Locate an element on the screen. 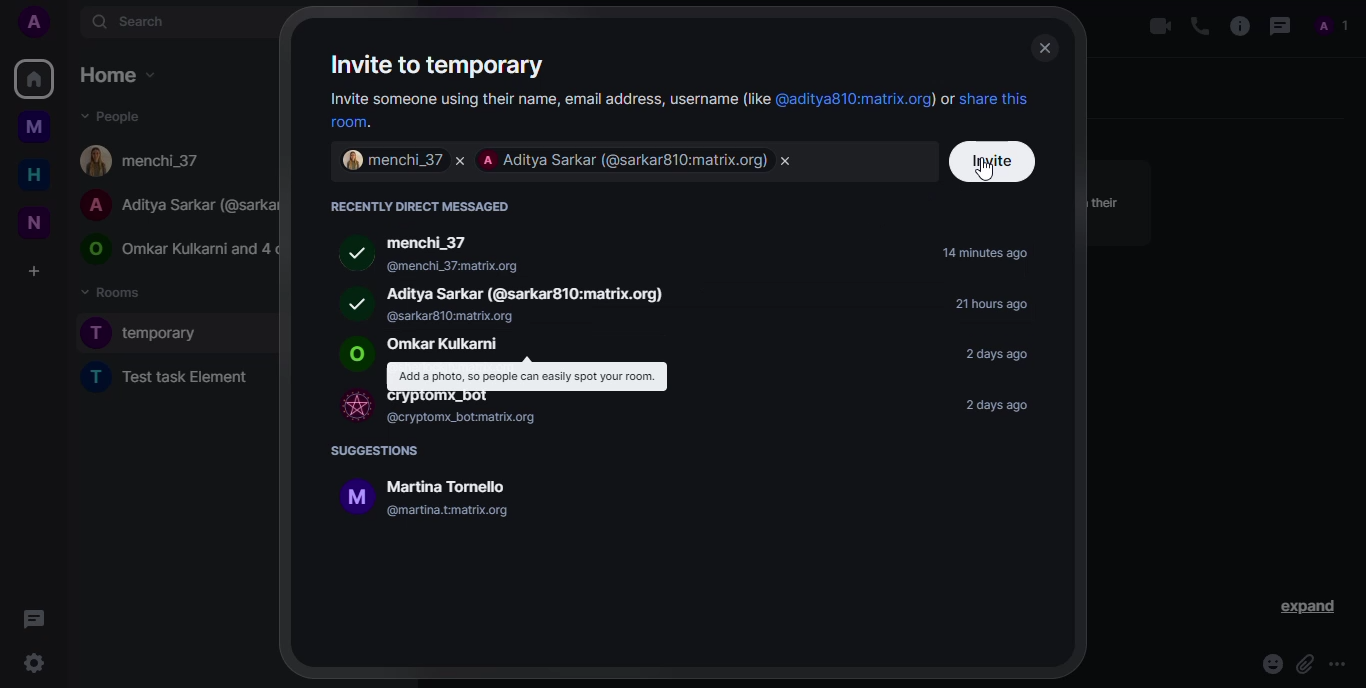 This screenshot has height=688, width=1366. people is located at coordinates (145, 160).